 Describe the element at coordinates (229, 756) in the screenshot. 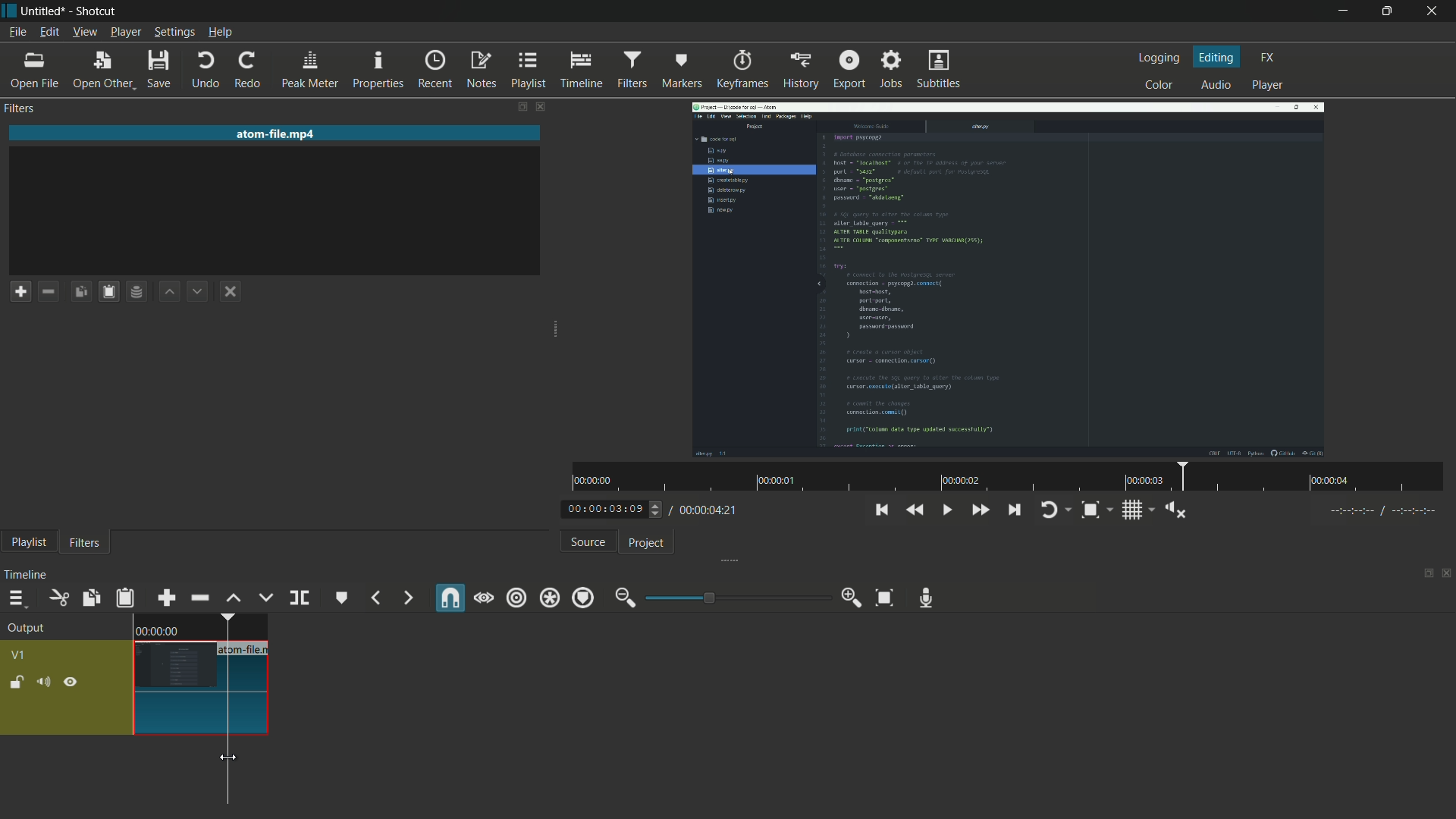

I see `cursor` at that location.